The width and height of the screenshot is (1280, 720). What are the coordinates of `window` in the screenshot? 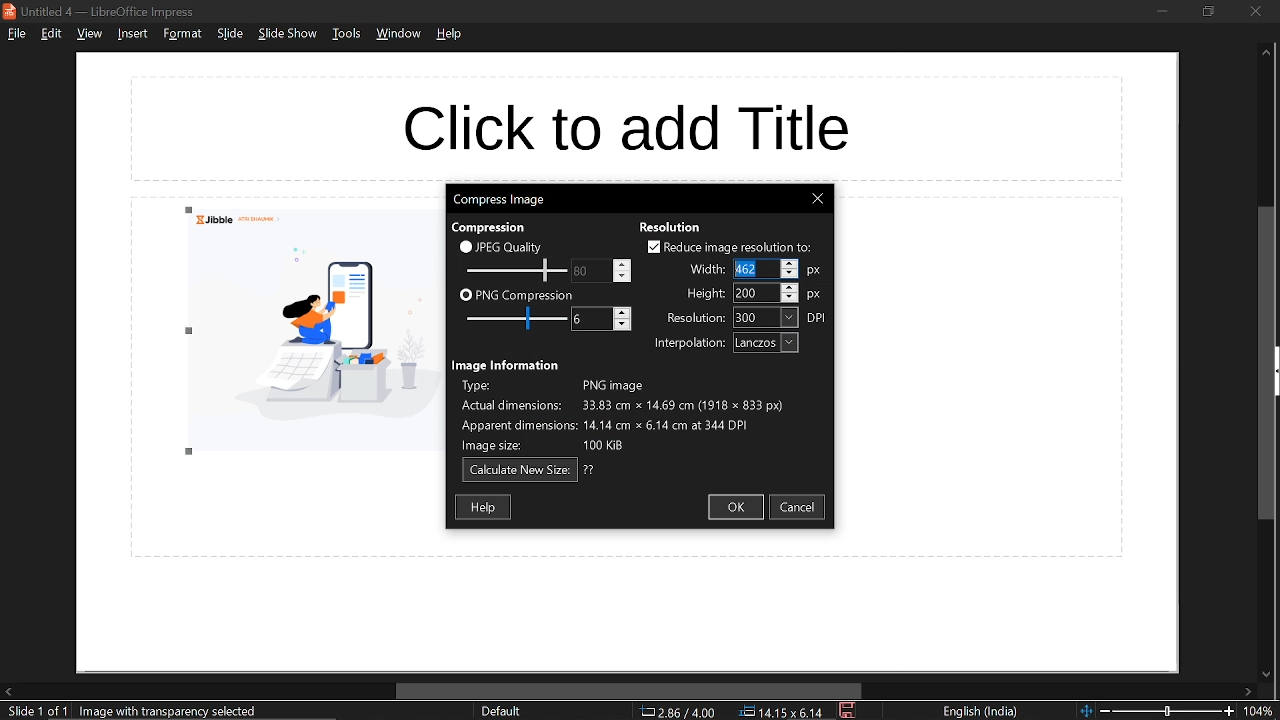 It's located at (401, 34).